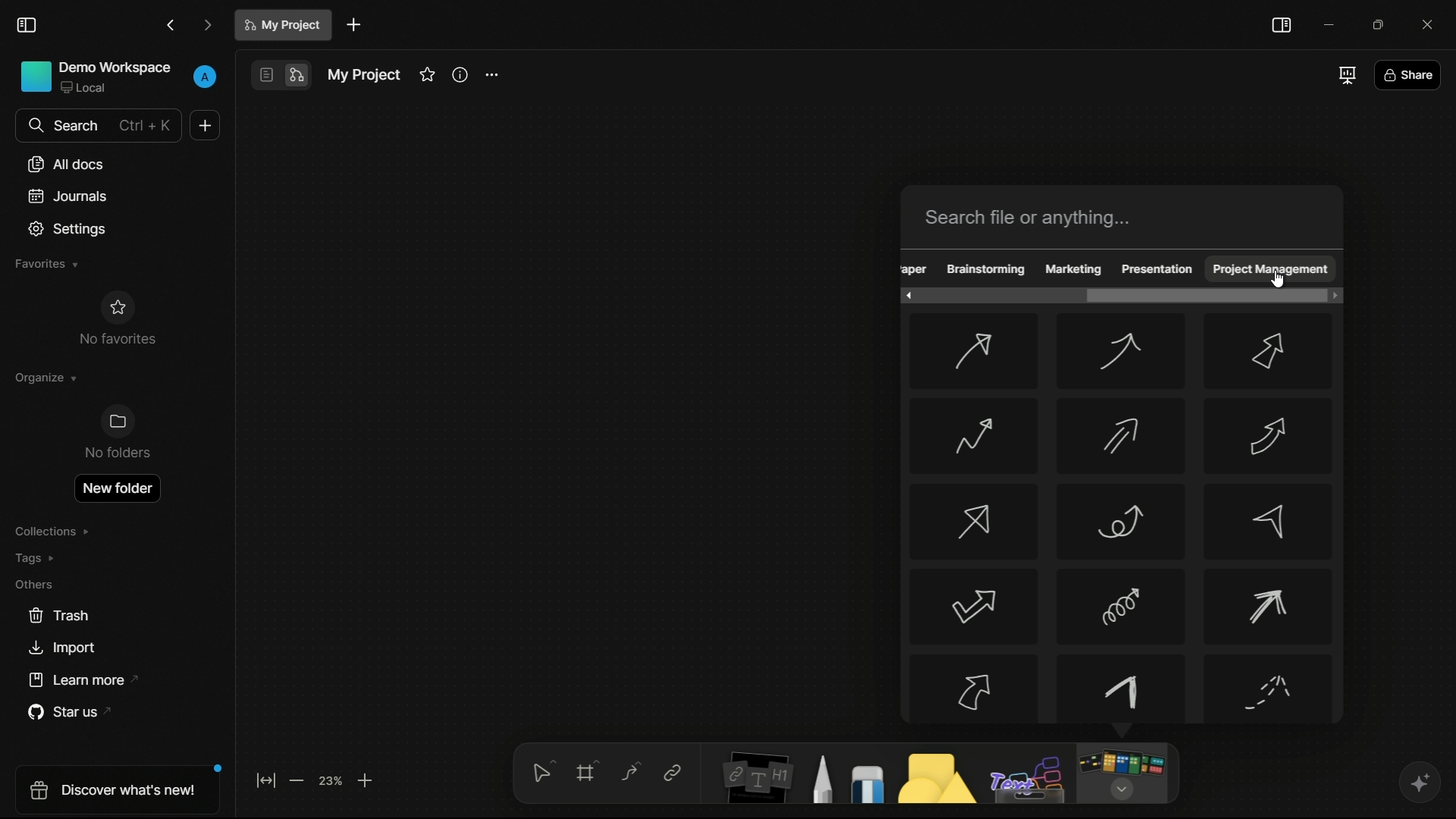  Describe the element at coordinates (541, 770) in the screenshot. I see `select` at that location.